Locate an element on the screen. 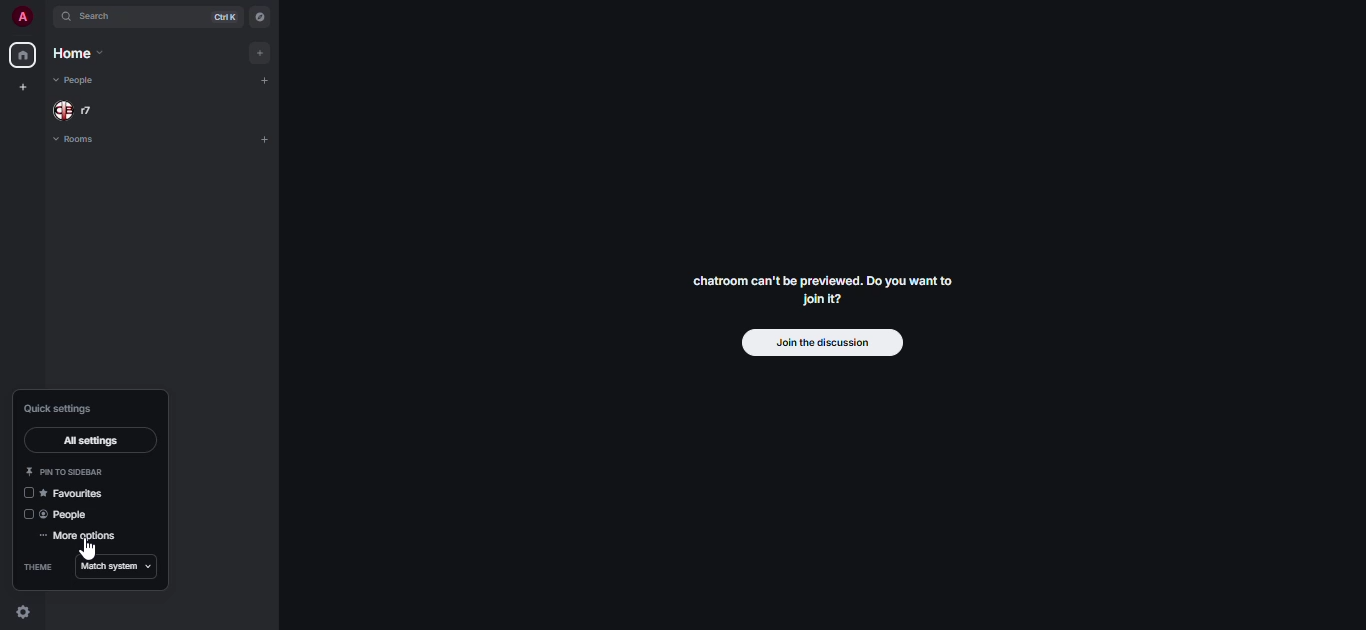  add is located at coordinates (262, 53).